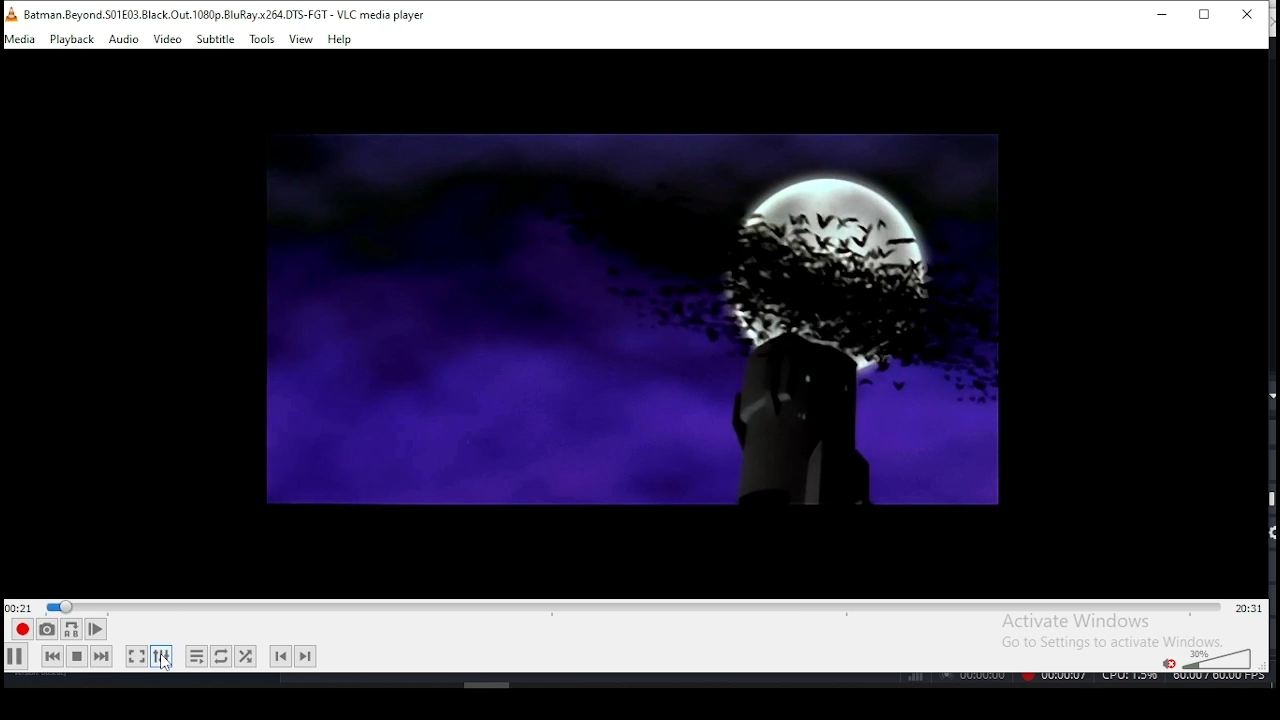 The image size is (1280, 720). Describe the element at coordinates (21, 39) in the screenshot. I see `media` at that location.